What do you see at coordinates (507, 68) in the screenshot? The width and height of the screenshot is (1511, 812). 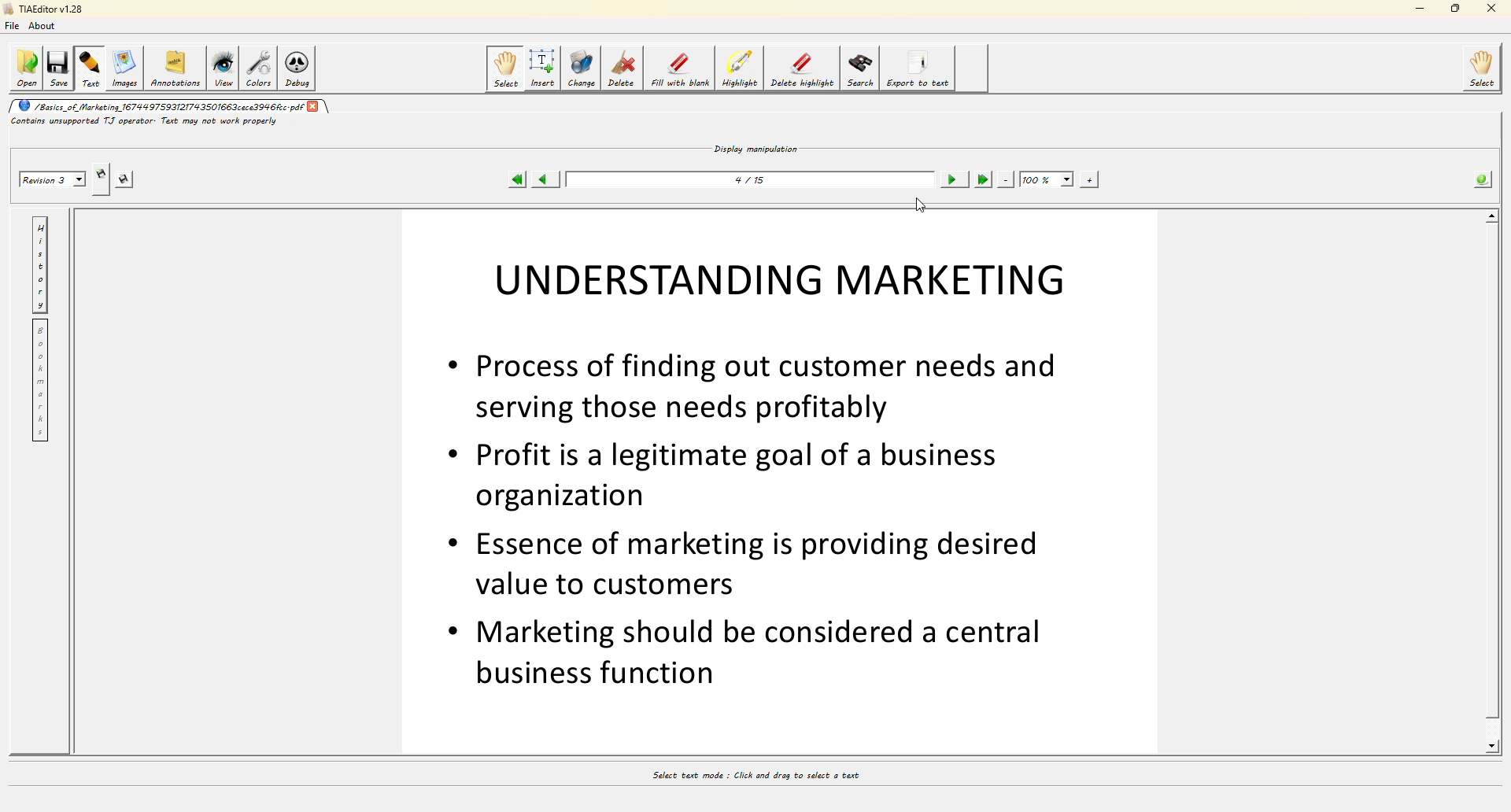 I see `select` at bounding box center [507, 68].